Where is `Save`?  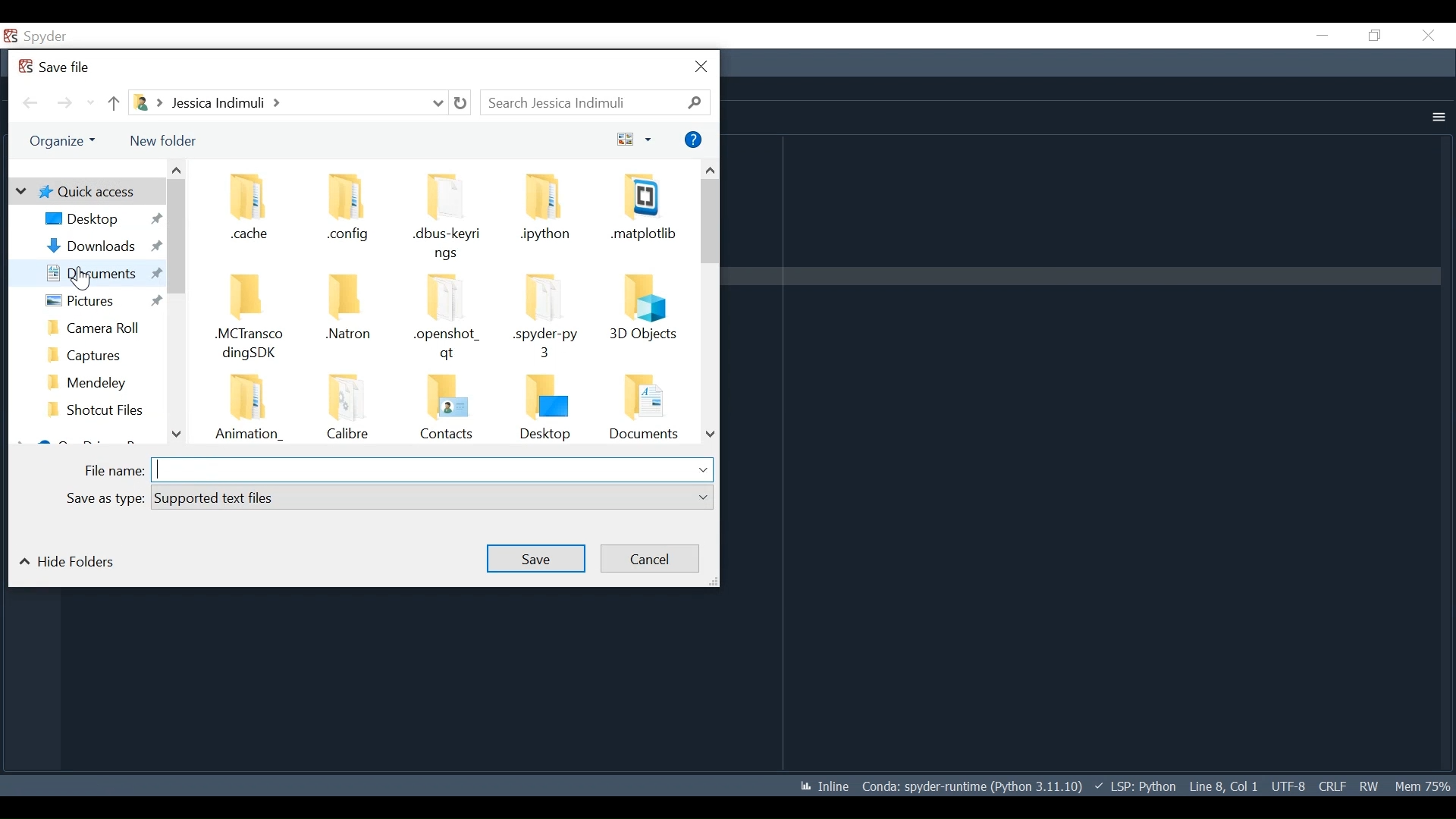
Save is located at coordinates (538, 559).